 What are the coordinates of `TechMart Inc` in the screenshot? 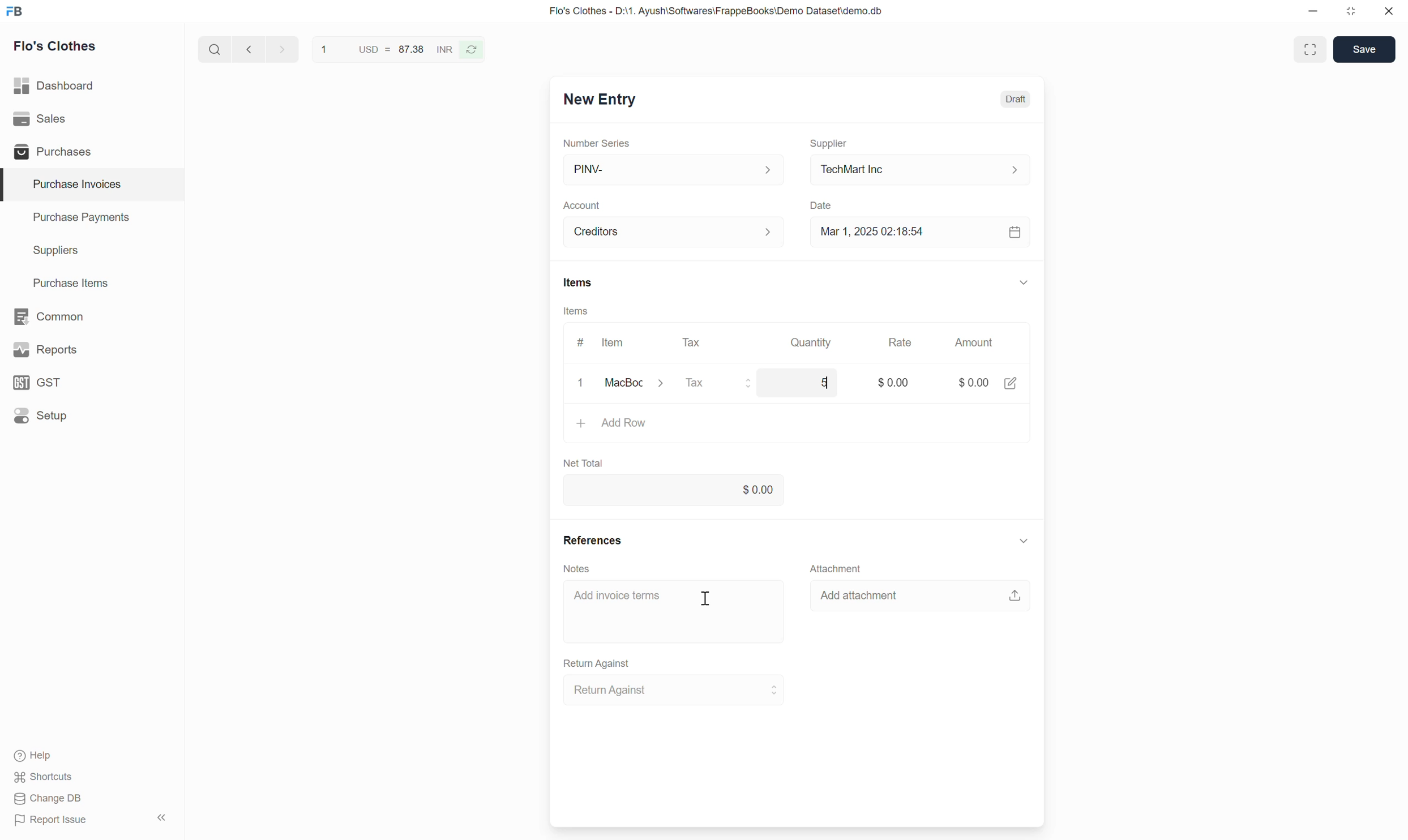 It's located at (921, 170).